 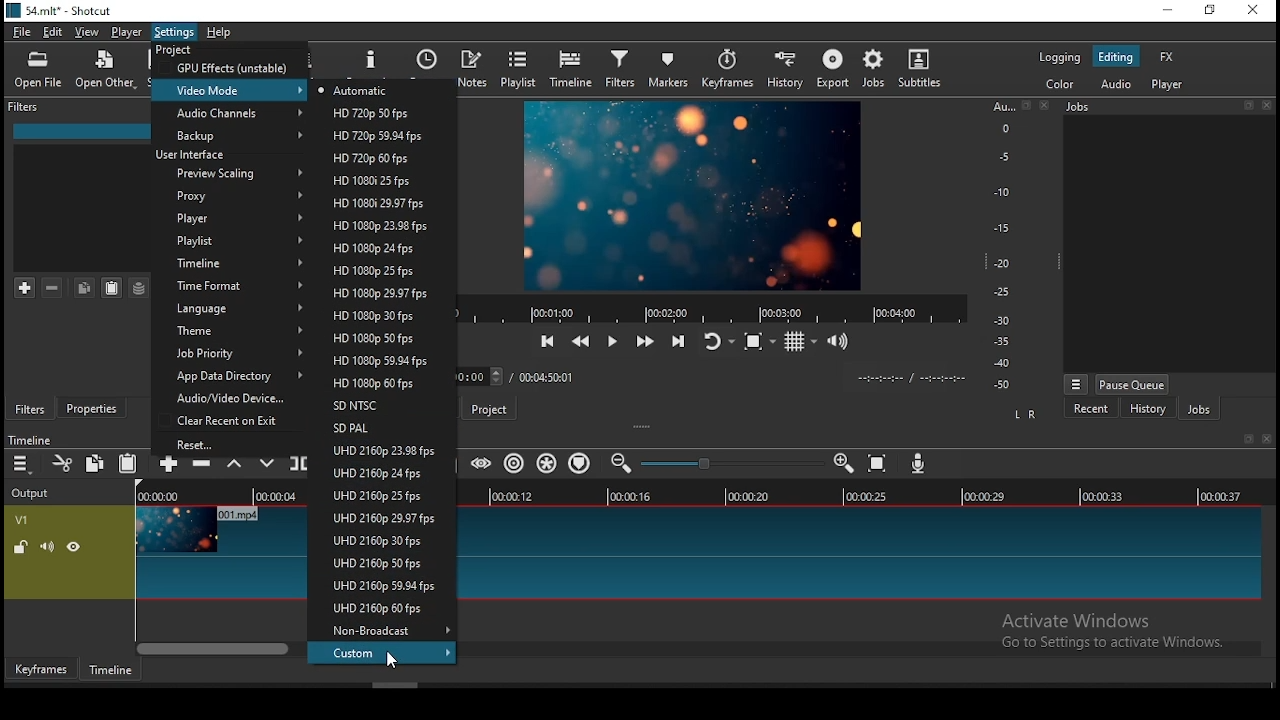 I want to click on output, so click(x=33, y=494).